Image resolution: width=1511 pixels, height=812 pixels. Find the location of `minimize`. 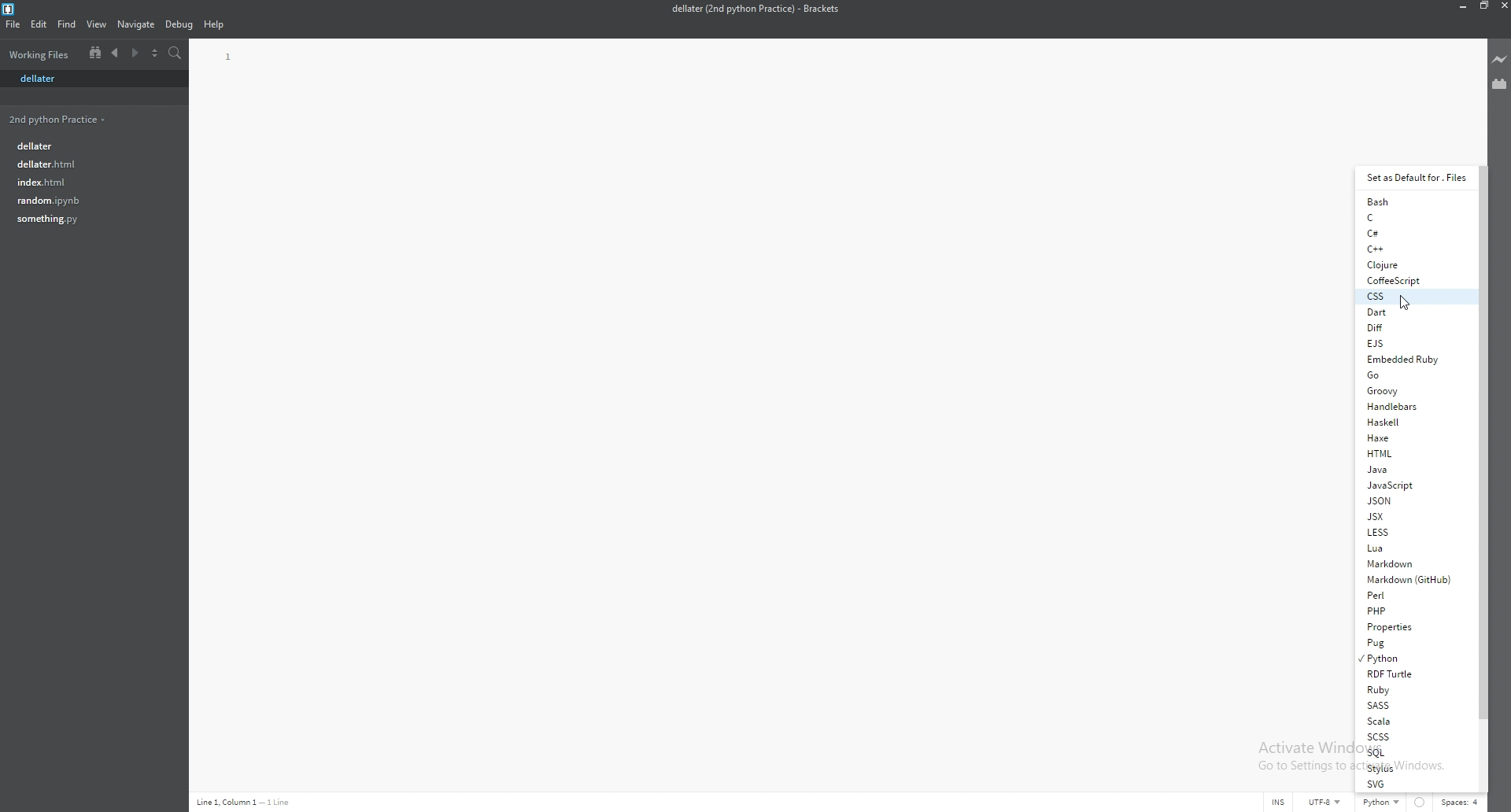

minimize is located at coordinates (1460, 6).